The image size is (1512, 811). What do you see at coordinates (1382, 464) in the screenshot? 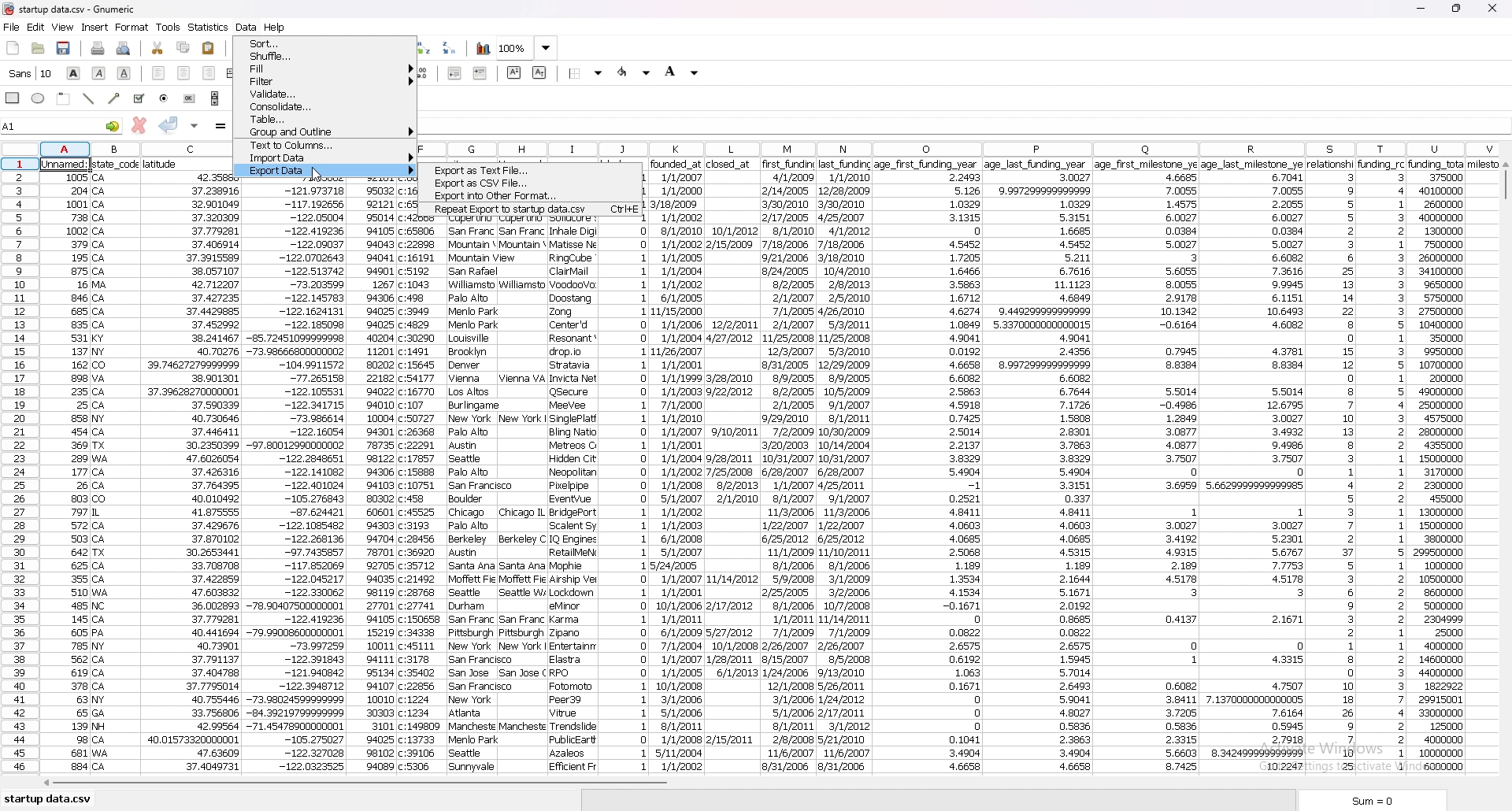
I see `data` at bounding box center [1382, 464].